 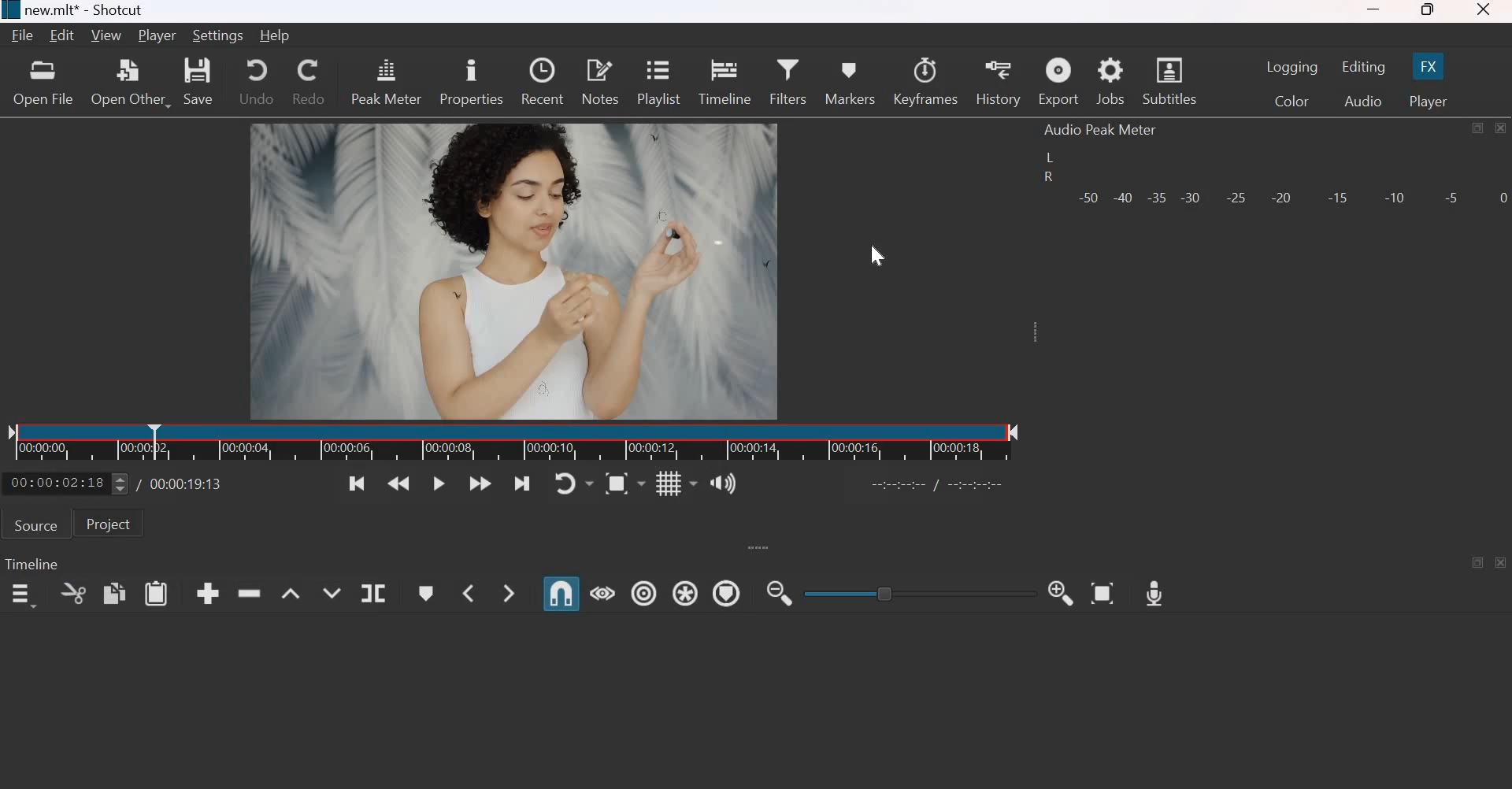 I want to click on FX, so click(x=1429, y=66).